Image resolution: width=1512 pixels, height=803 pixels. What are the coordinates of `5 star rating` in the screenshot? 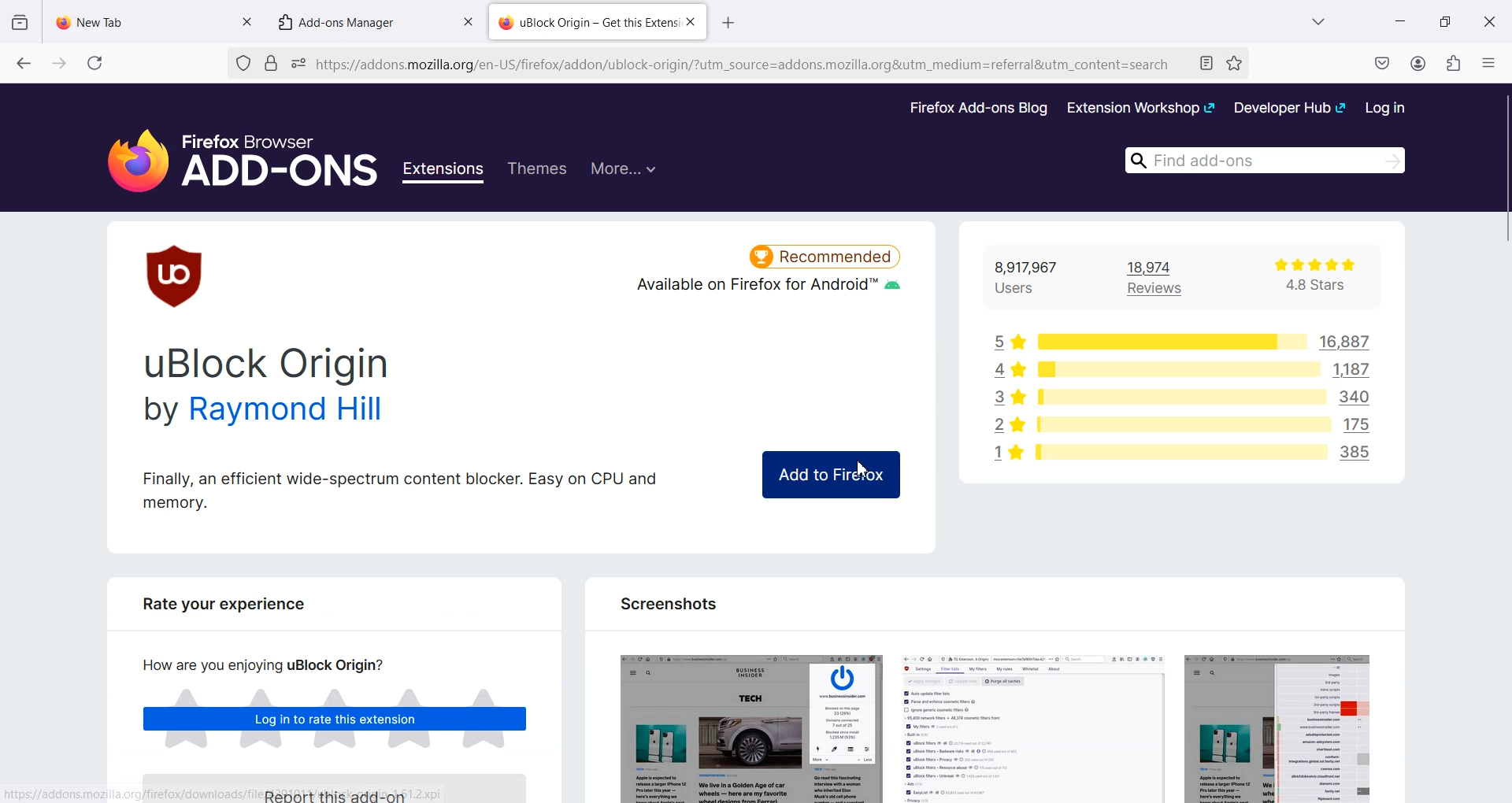 It's located at (1007, 339).